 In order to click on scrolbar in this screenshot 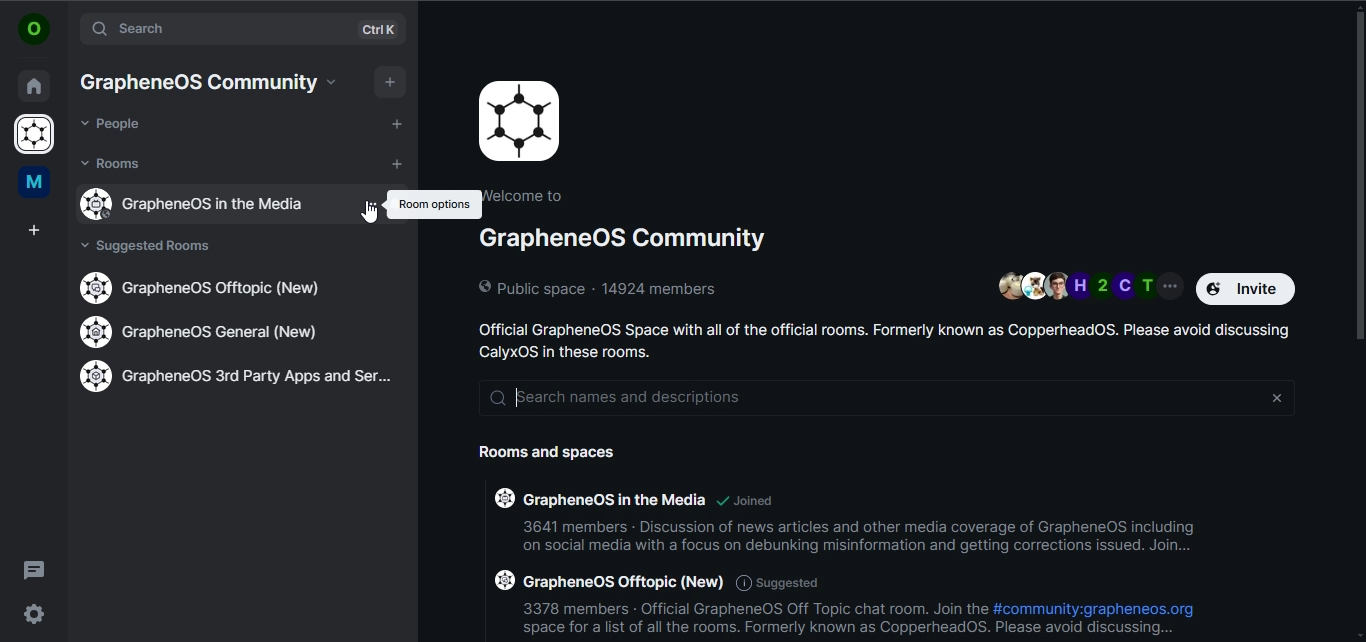, I will do `click(1357, 171)`.